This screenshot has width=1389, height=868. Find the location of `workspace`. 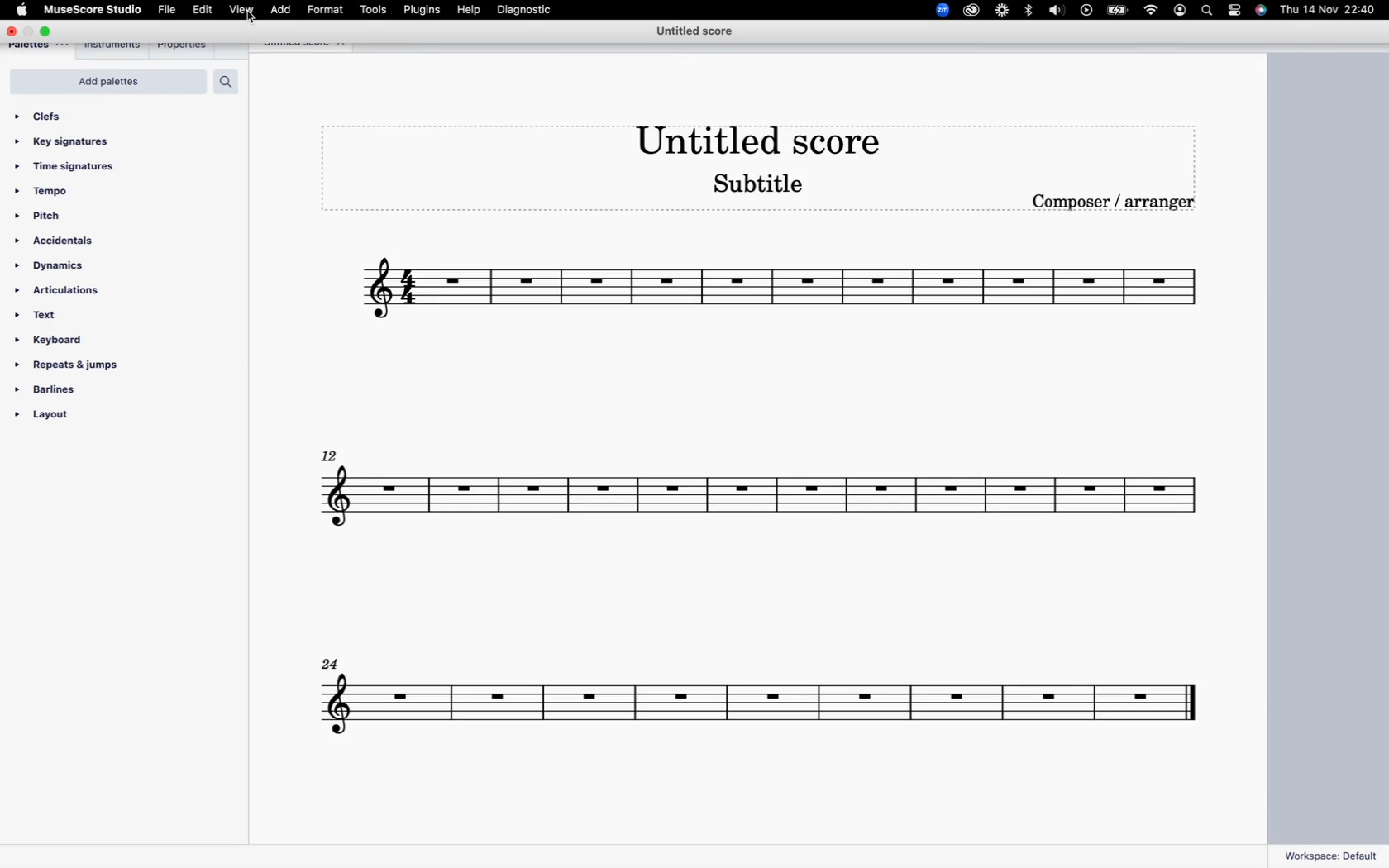

workspace is located at coordinates (1331, 855).